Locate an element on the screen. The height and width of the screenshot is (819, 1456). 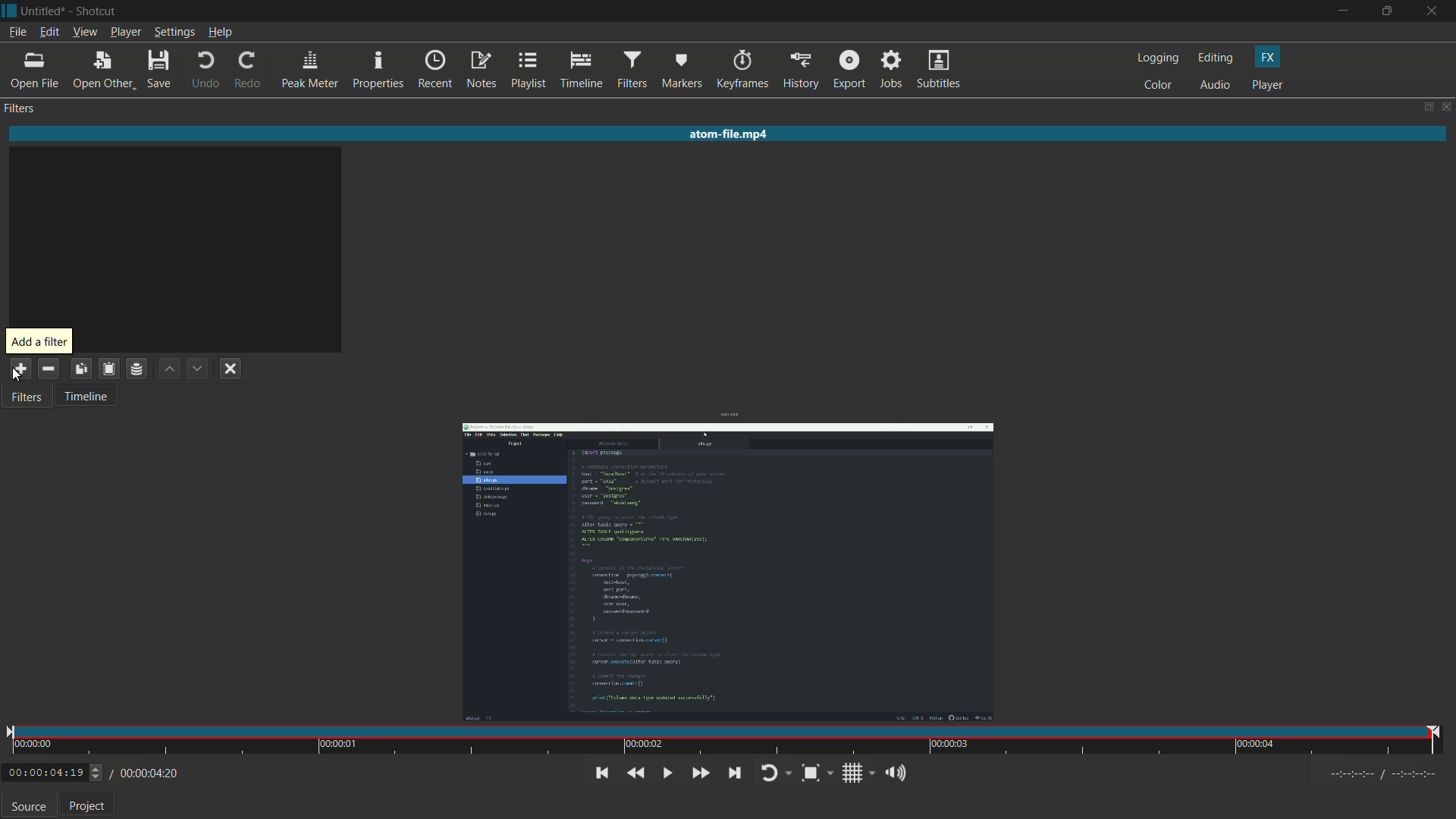
editing is located at coordinates (1219, 58).